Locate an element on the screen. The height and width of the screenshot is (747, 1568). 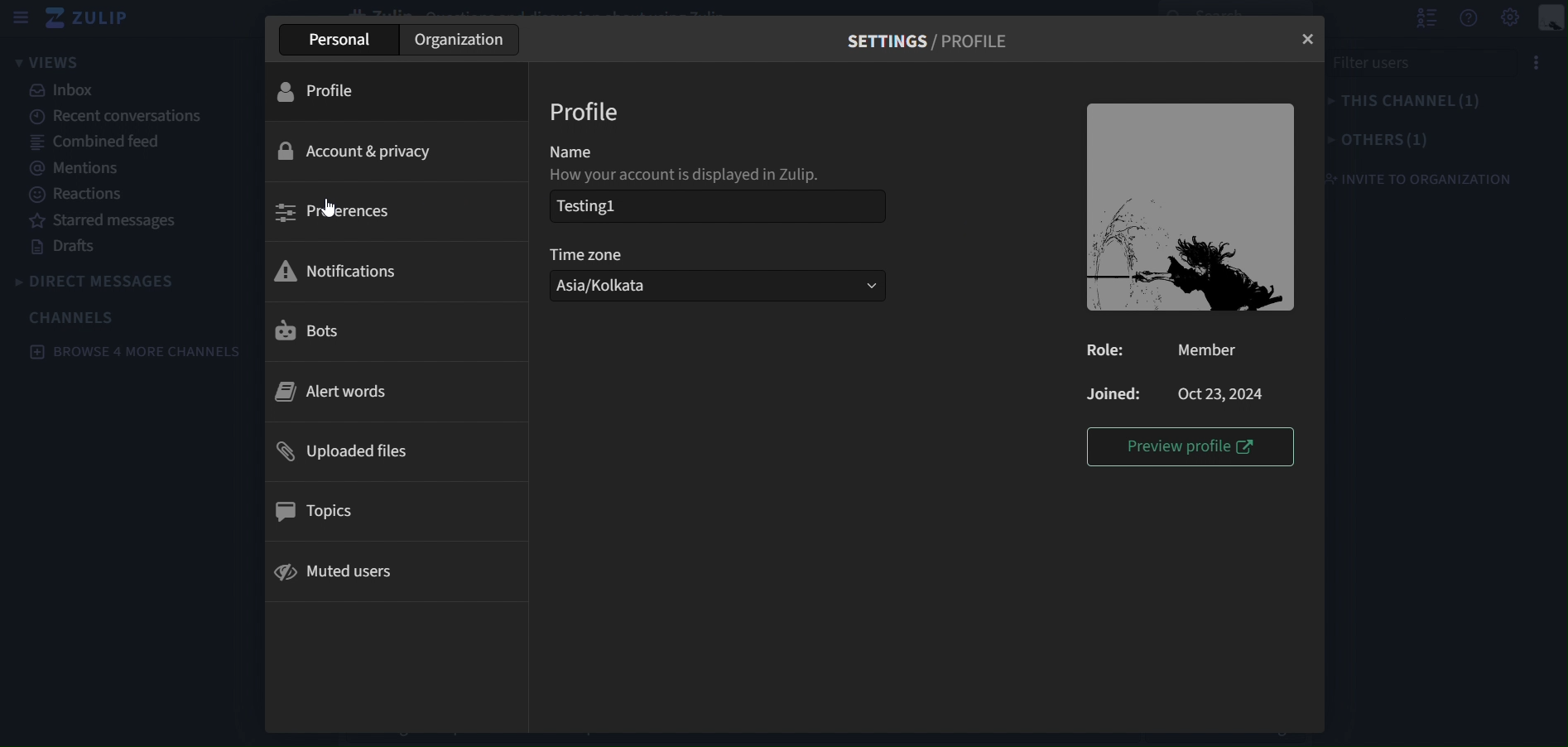
close is located at coordinates (1306, 39).